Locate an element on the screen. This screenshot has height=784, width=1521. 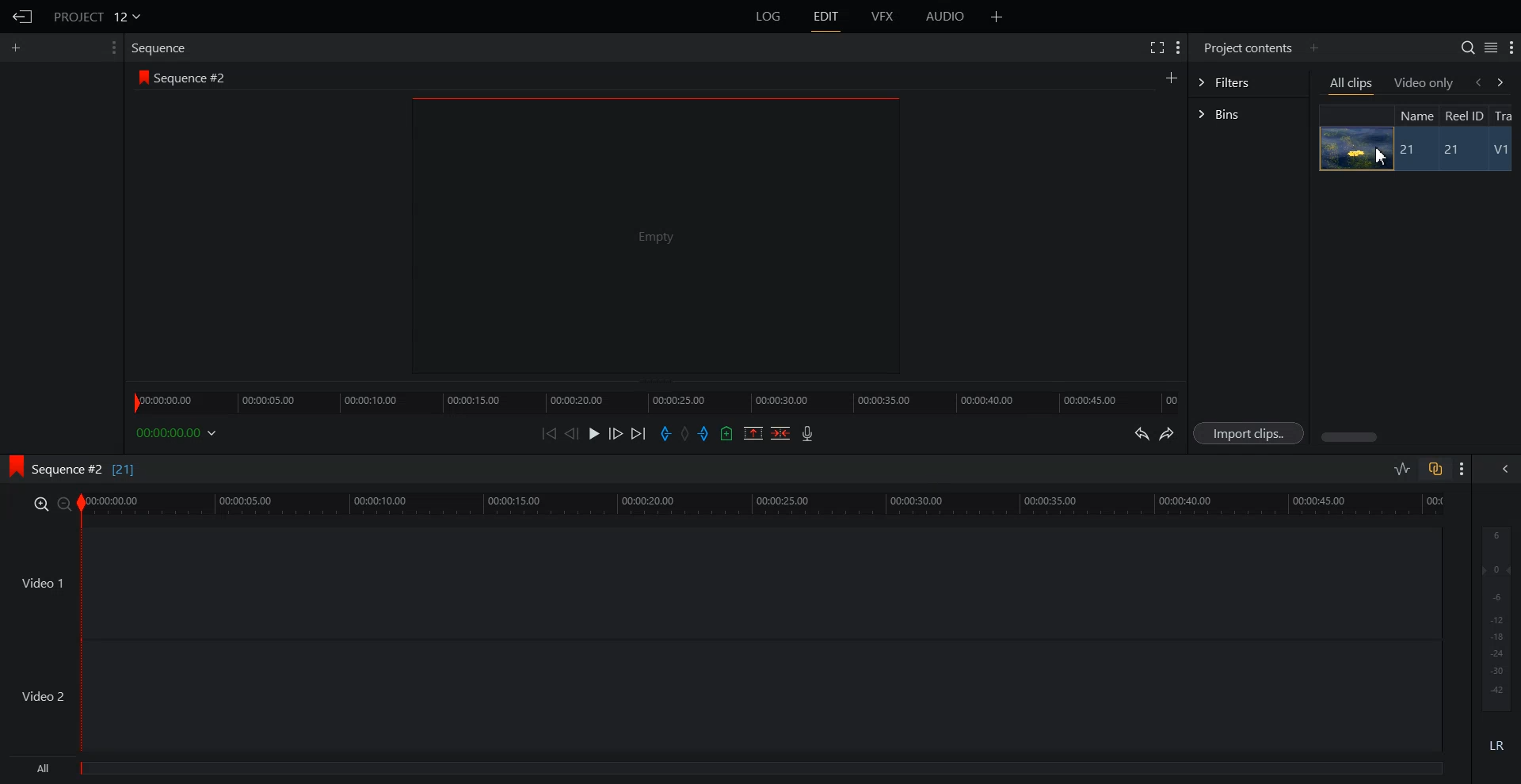
Undo is located at coordinates (1139, 434).